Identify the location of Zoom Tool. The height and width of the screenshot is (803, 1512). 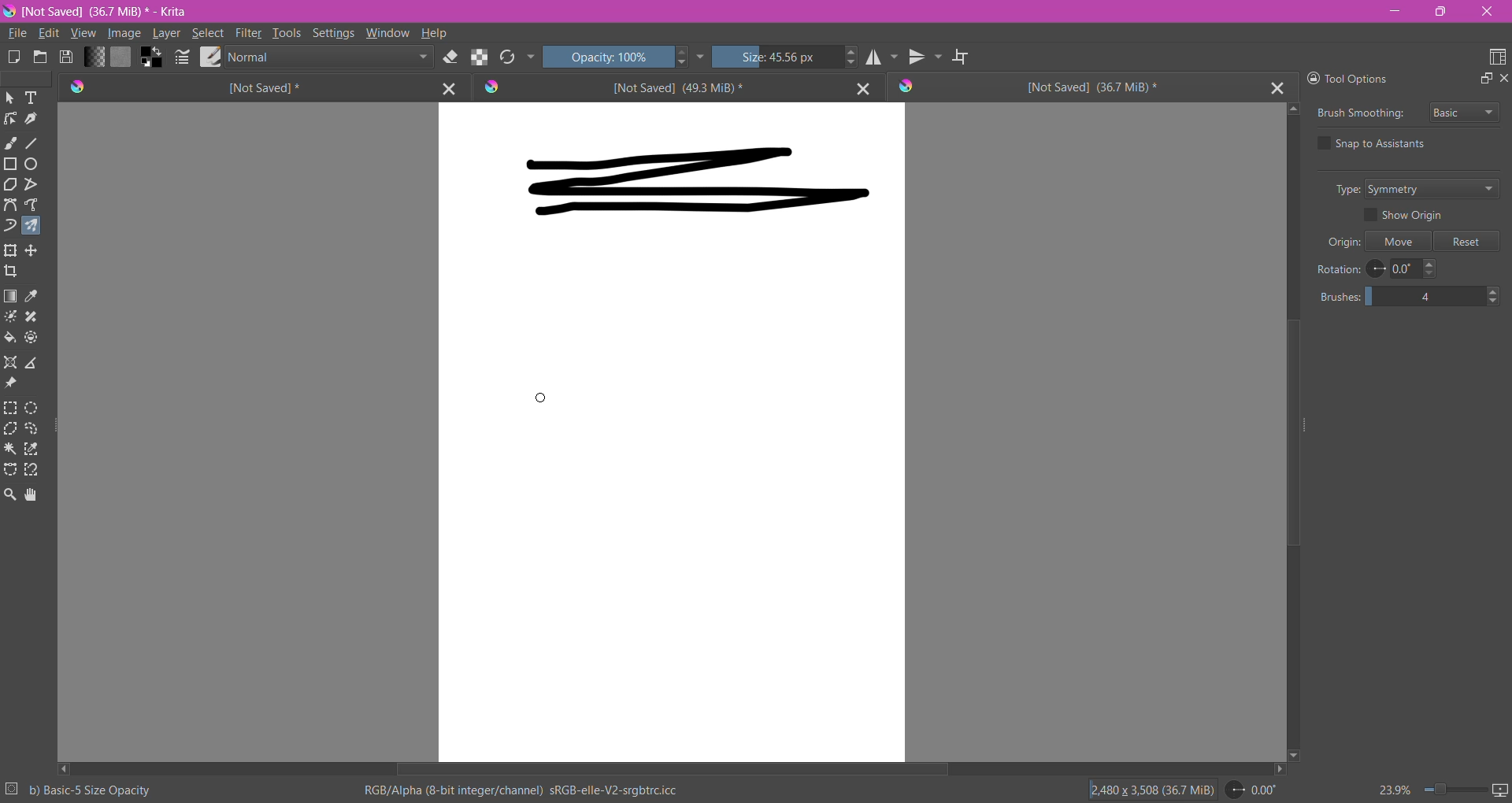
(11, 495).